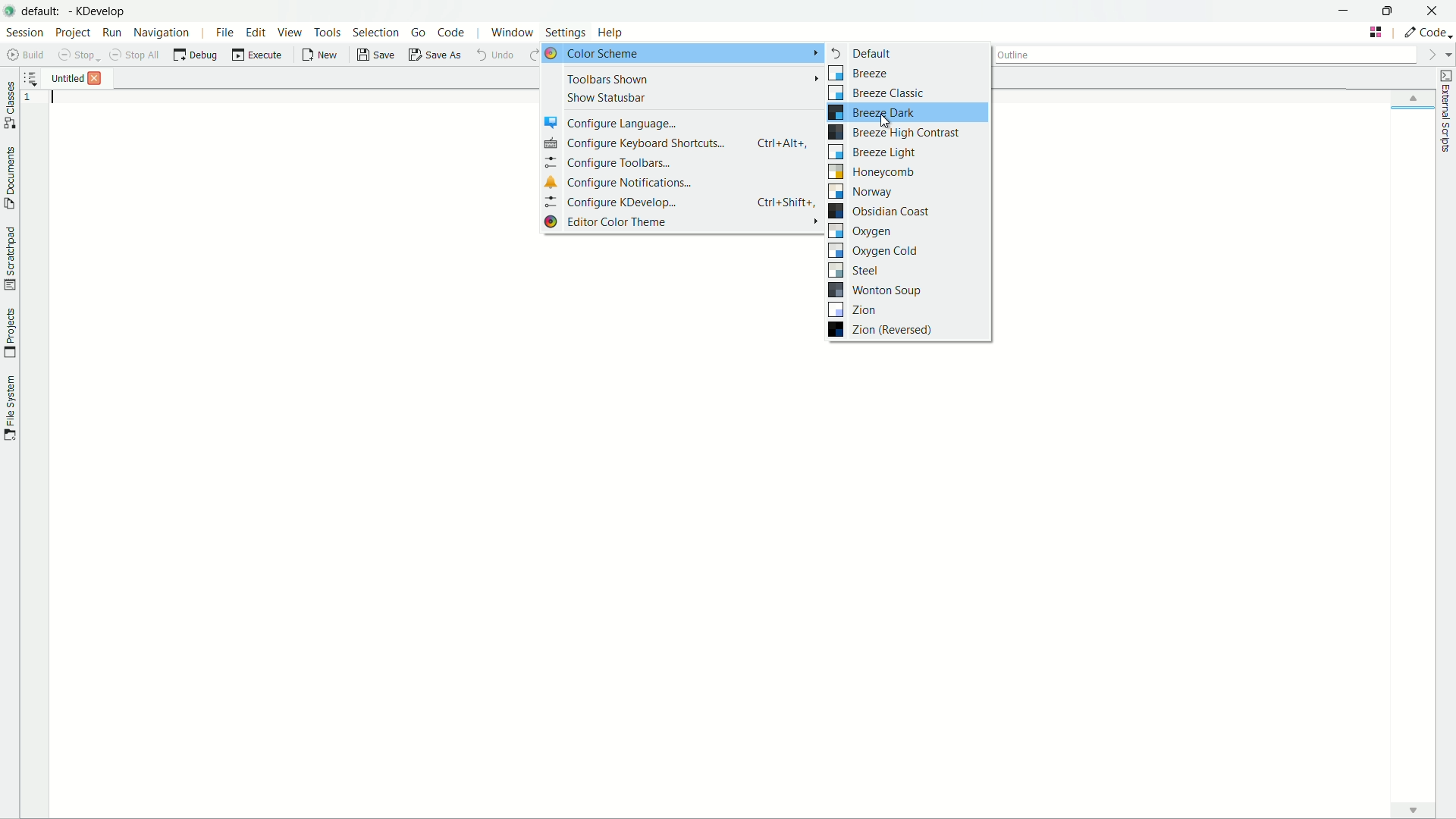 The image size is (1456, 819). I want to click on view, so click(290, 32).